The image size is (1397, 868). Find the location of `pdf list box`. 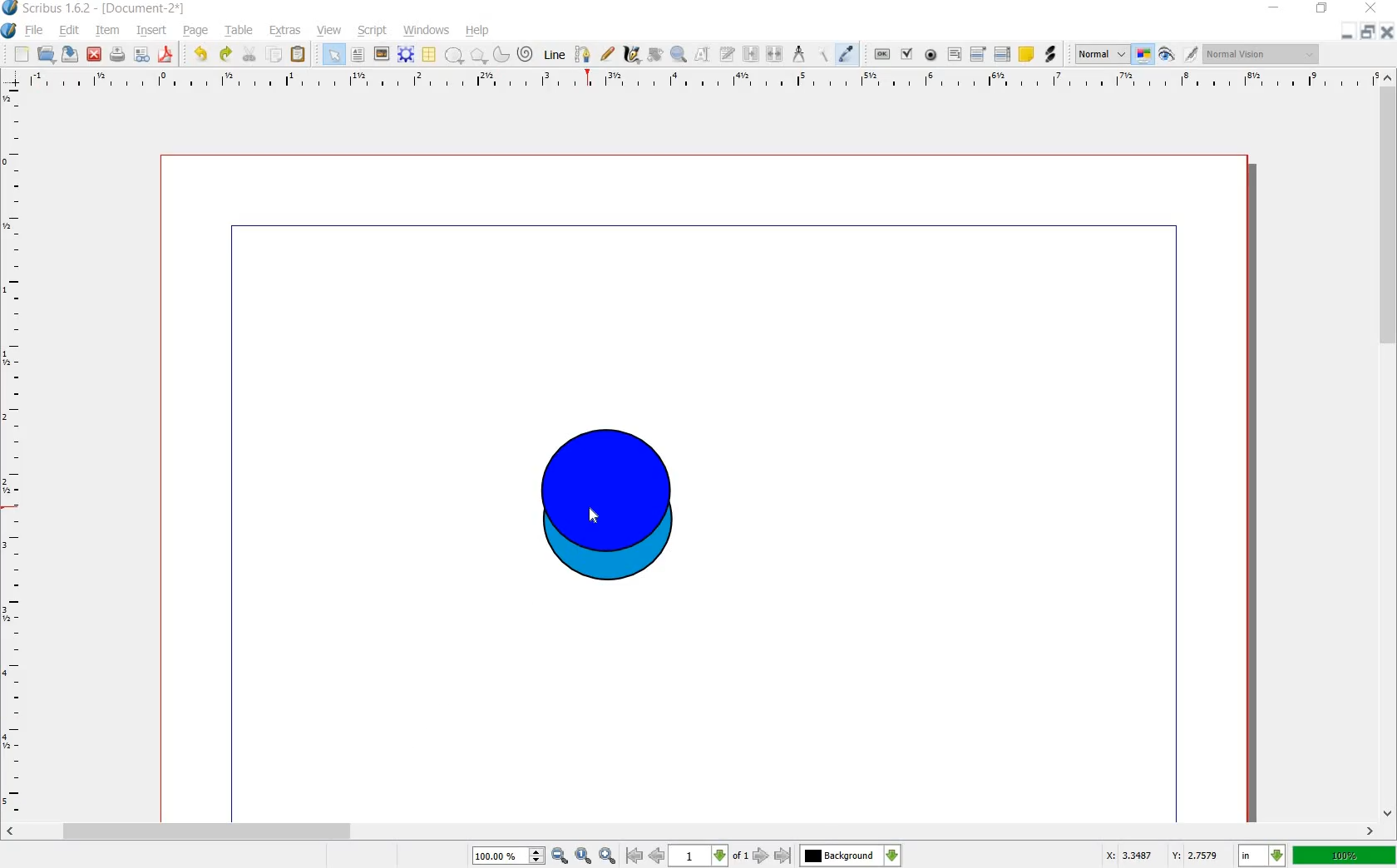

pdf list box is located at coordinates (1002, 52).